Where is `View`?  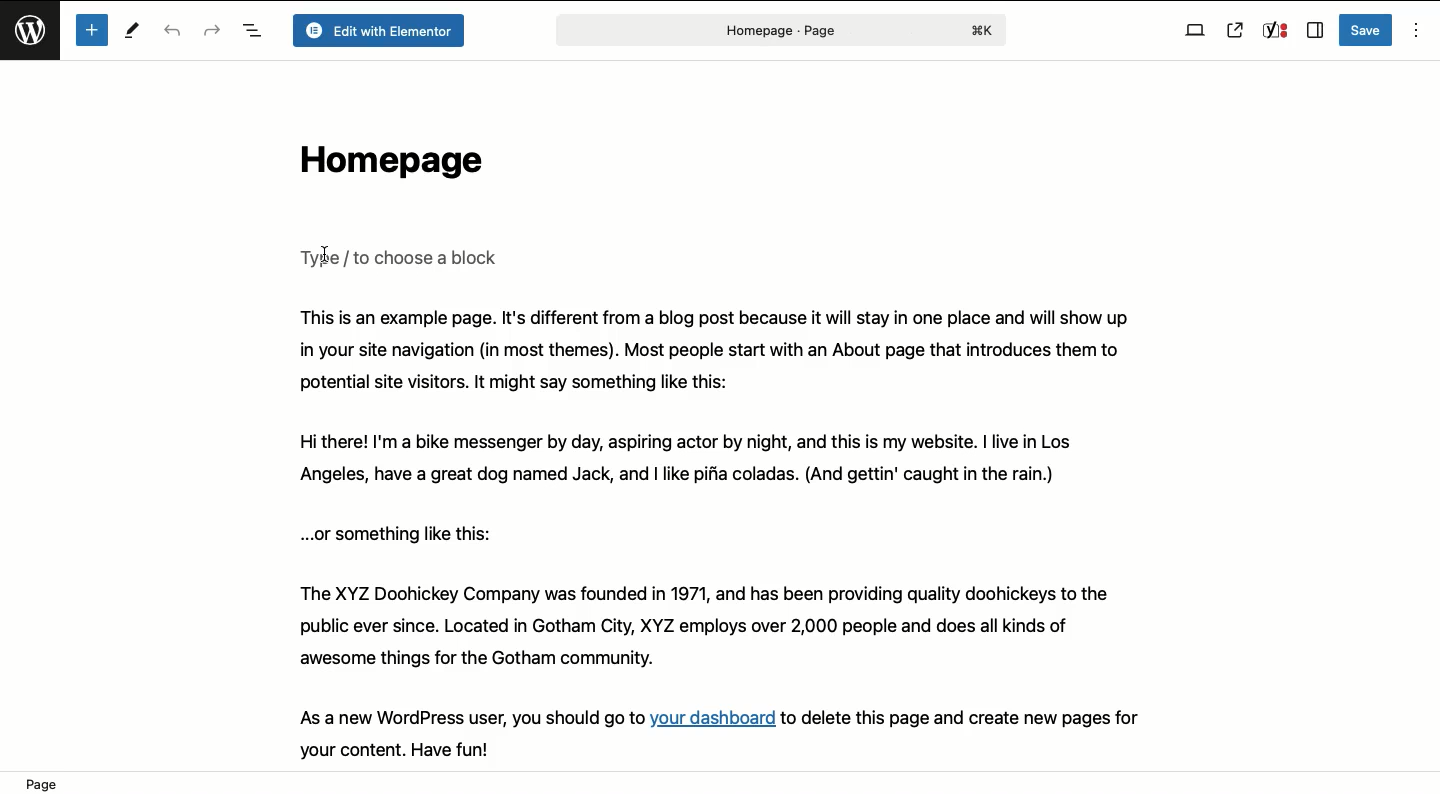 View is located at coordinates (1195, 31).